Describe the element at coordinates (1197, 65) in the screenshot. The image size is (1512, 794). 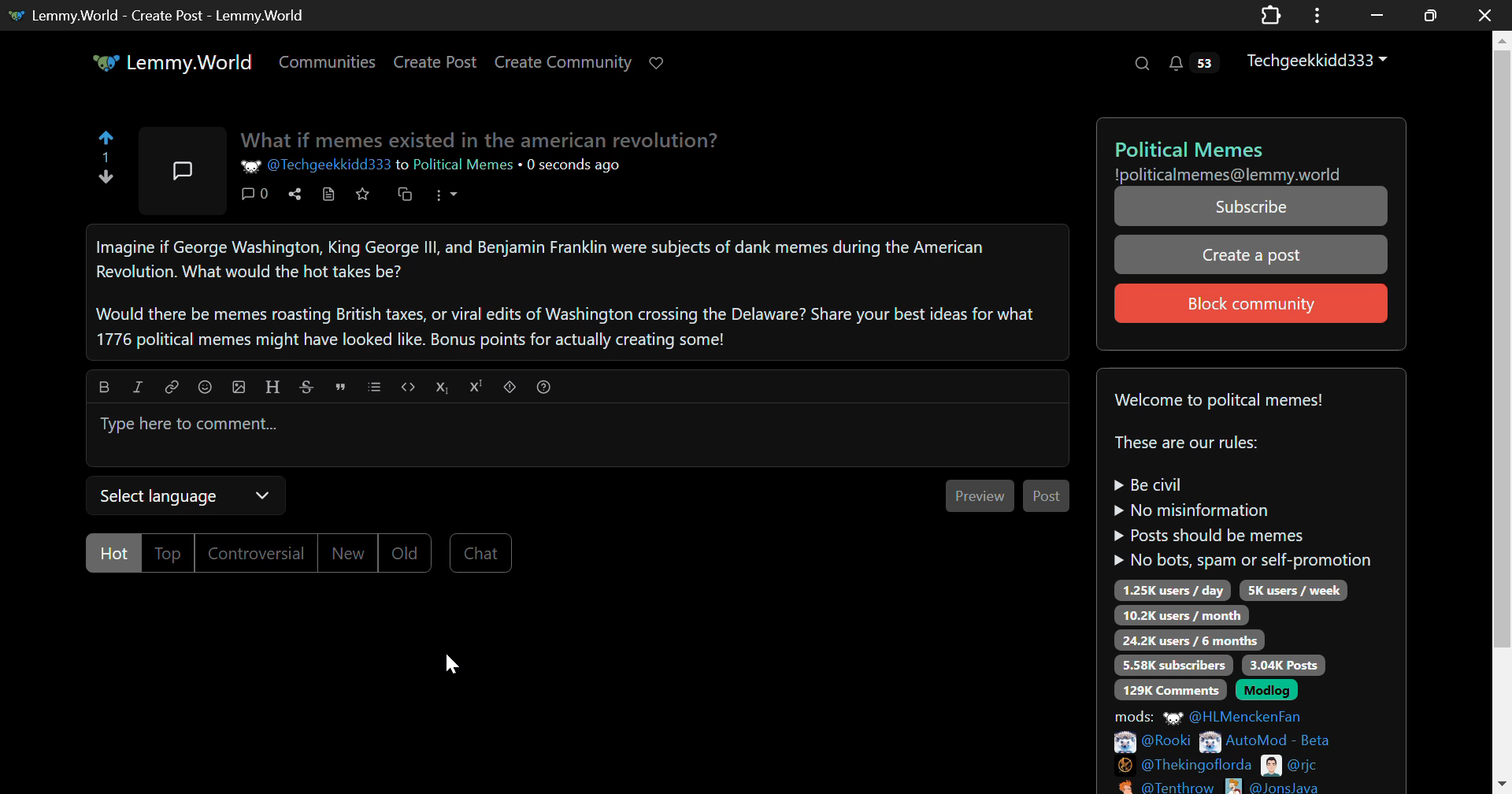
I see `Notifications` at that location.